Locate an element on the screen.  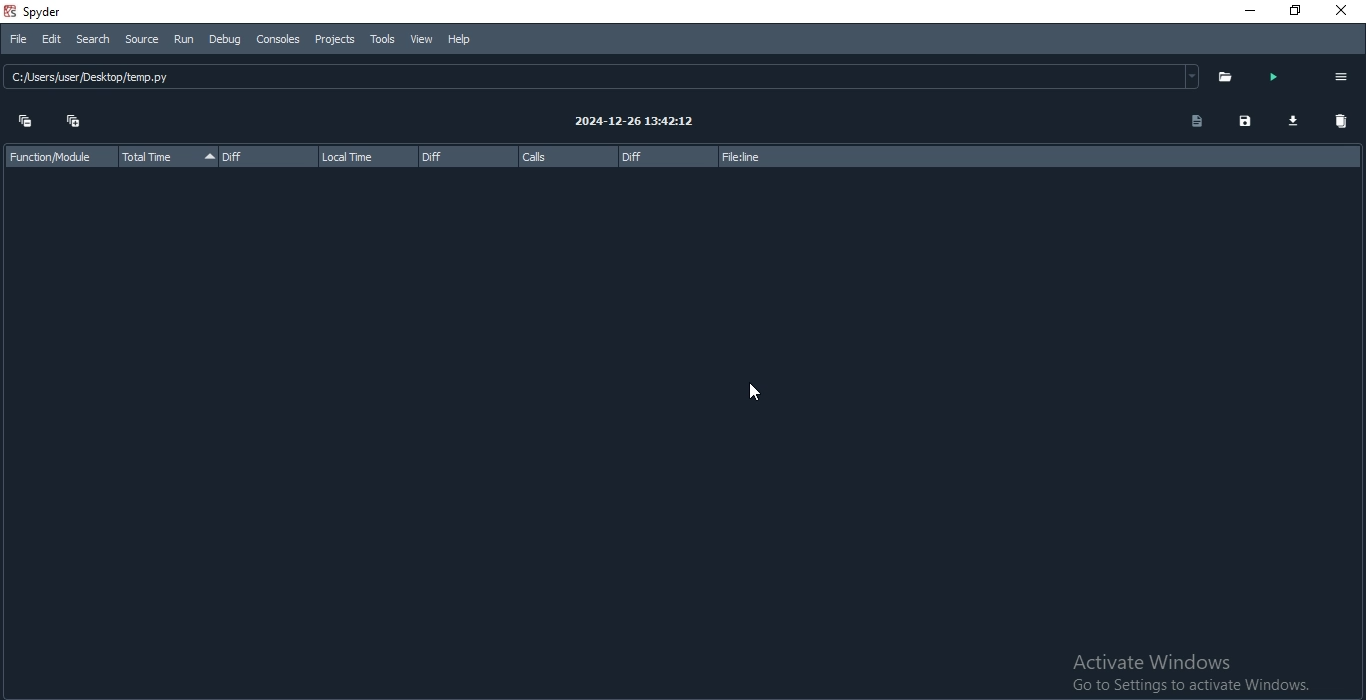
total time is located at coordinates (166, 158).